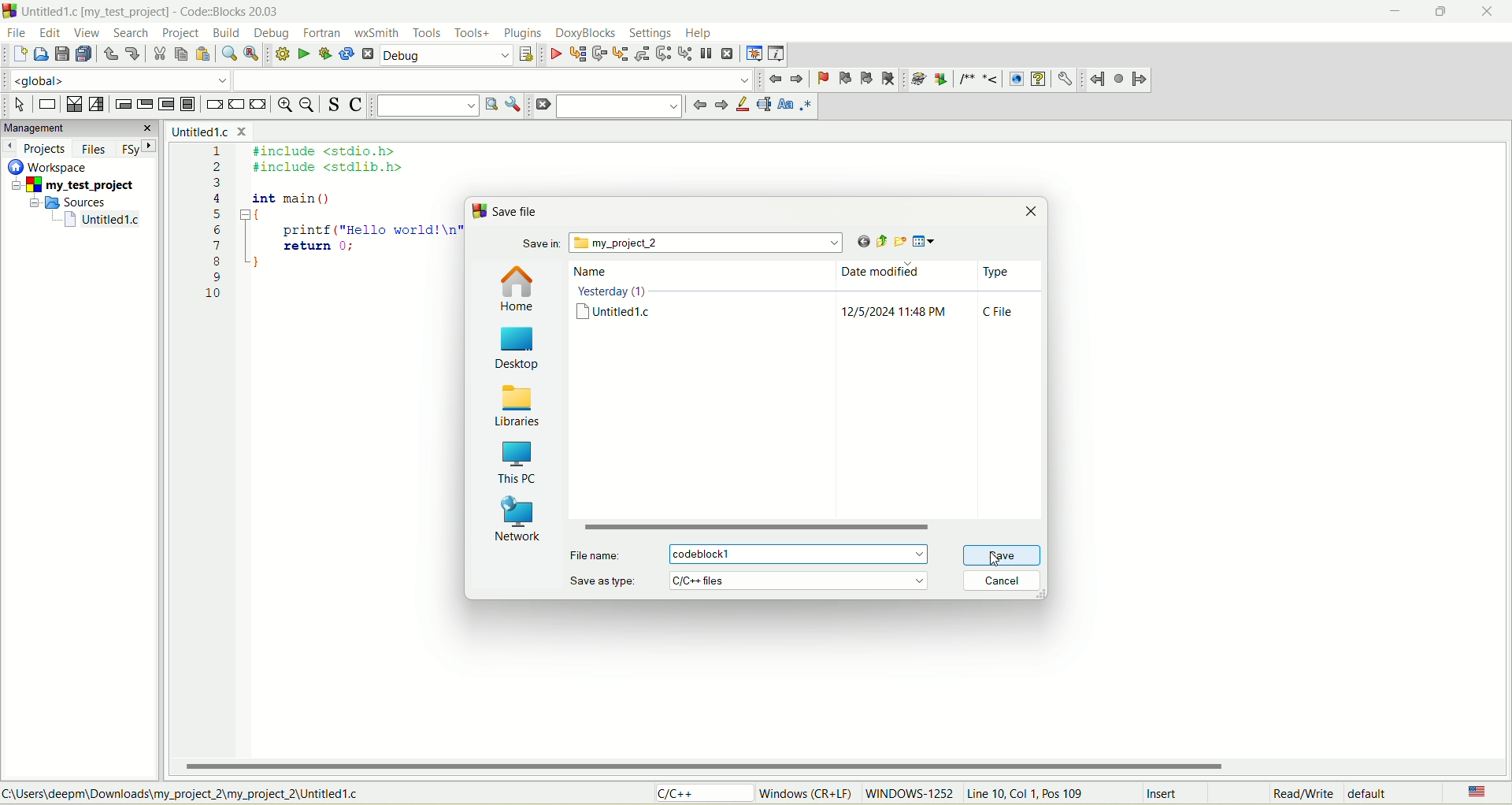 Image resolution: width=1512 pixels, height=805 pixels. I want to click on minimize, so click(1392, 14).